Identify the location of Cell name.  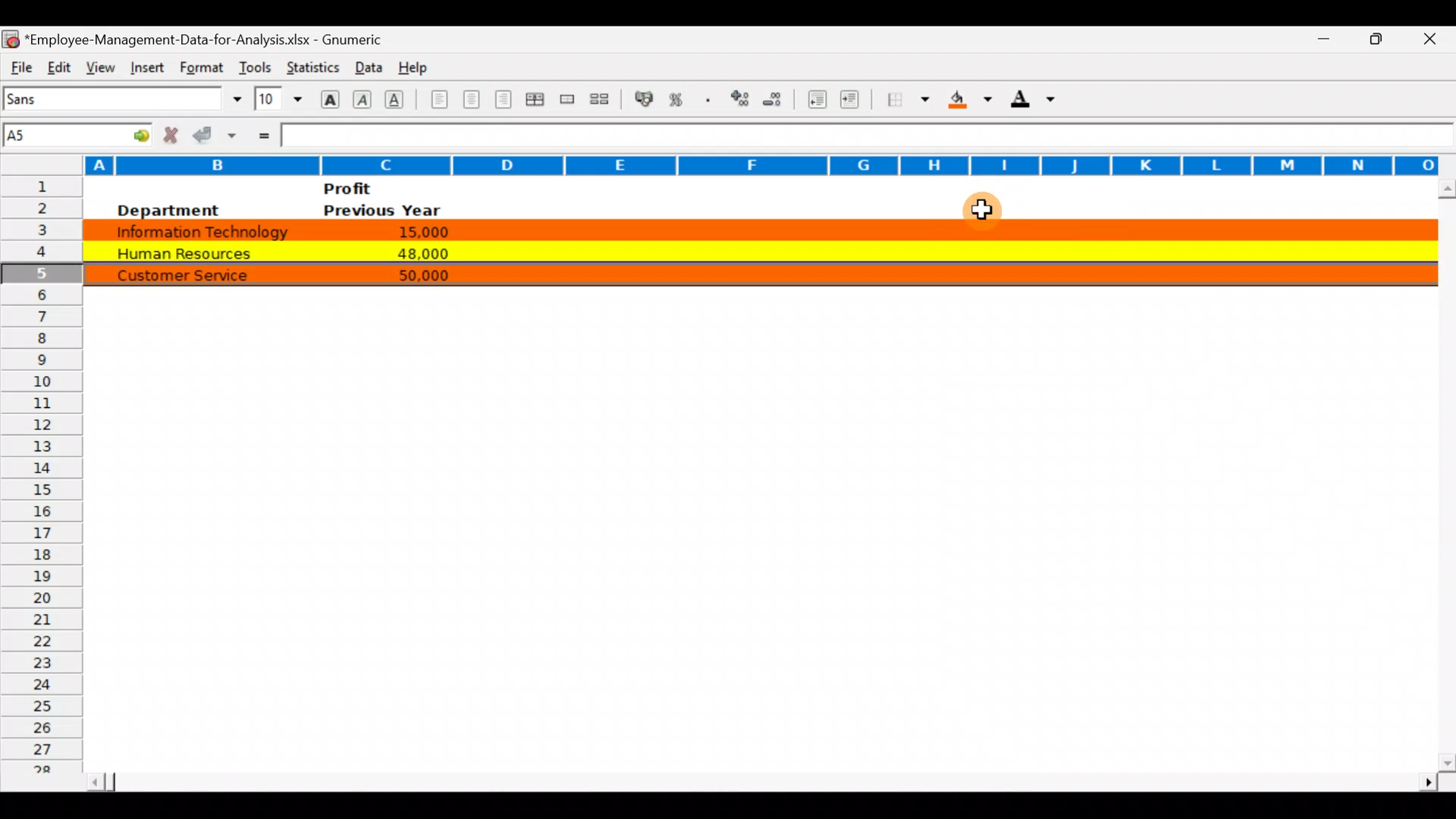
(79, 131).